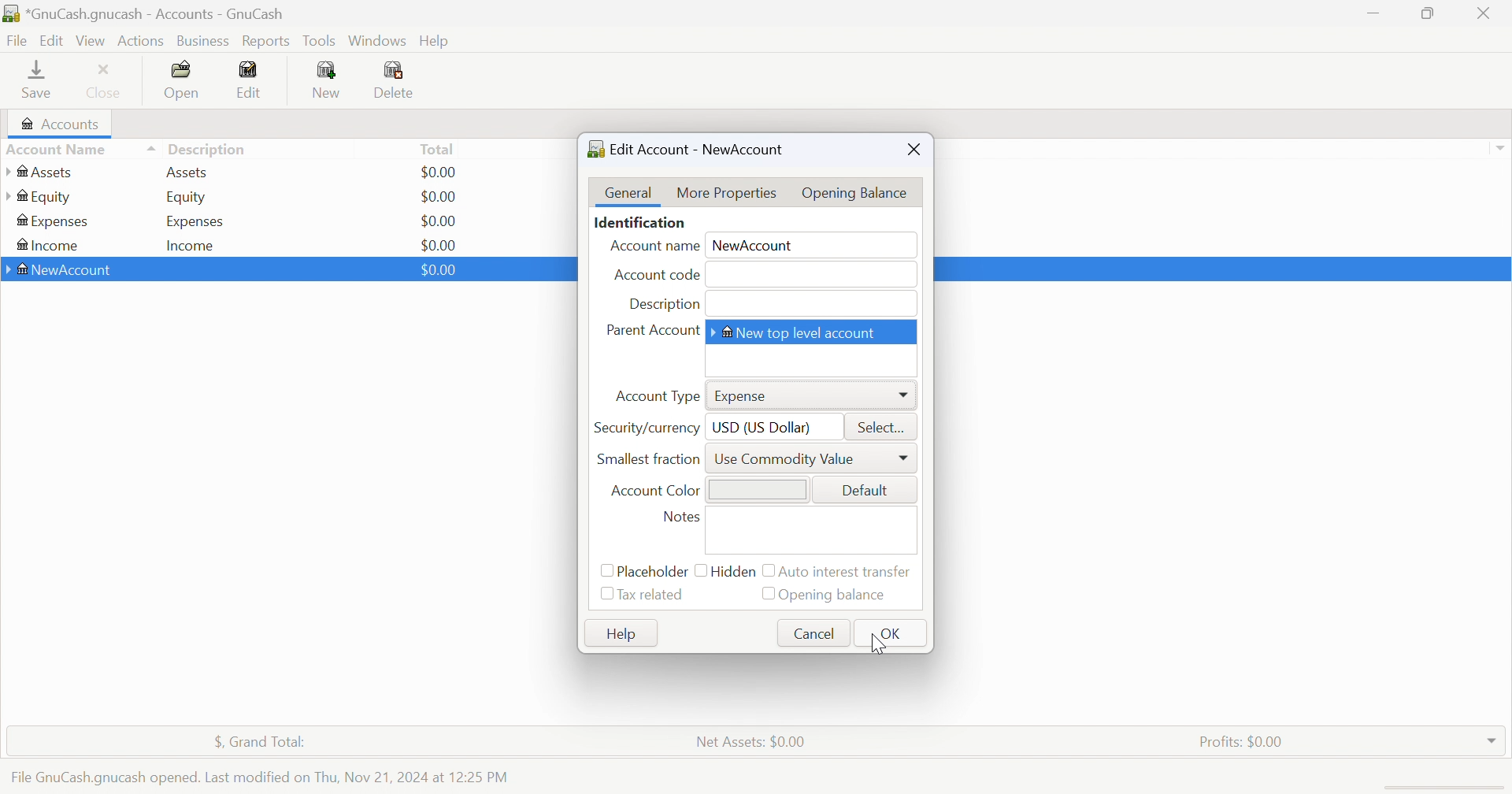 The image size is (1512, 794). What do you see at coordinates (17, 42) in the screenshot?
I see `File` at bounding box center [17, 42].